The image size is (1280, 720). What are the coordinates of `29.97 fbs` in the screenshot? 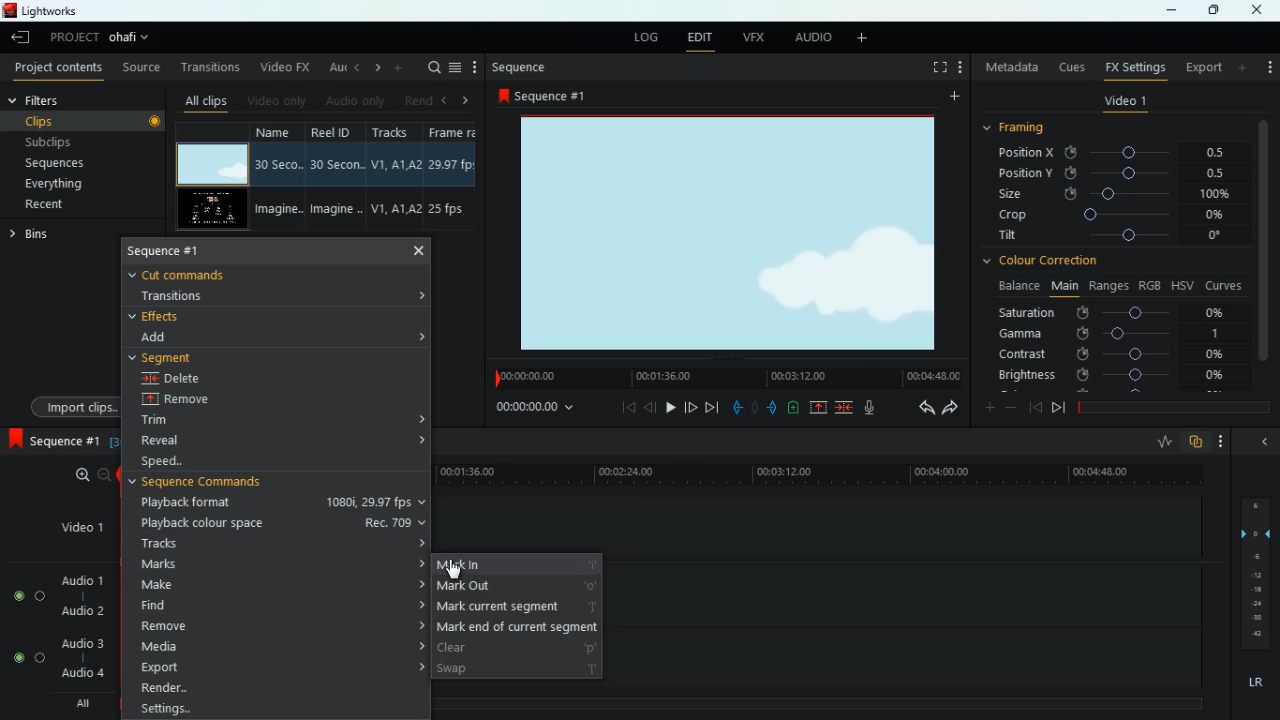 It's located at (454, 163).